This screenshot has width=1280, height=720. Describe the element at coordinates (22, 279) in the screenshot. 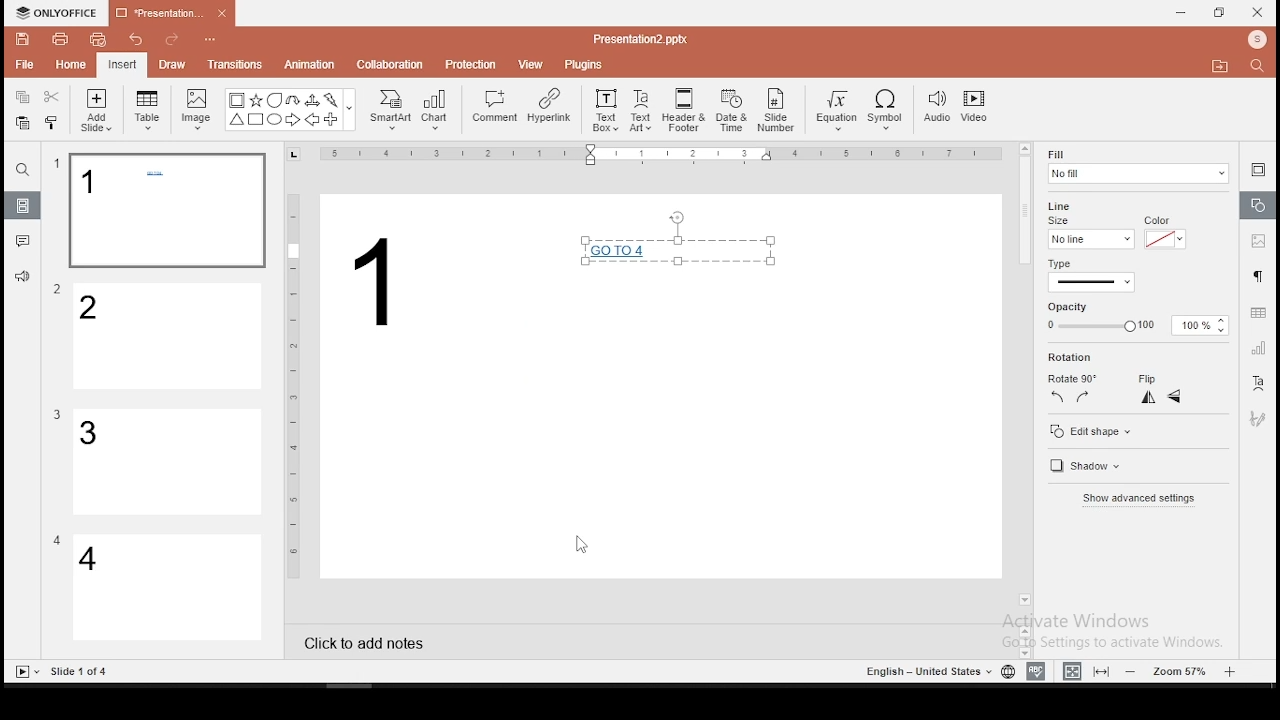

I see `support and feedback` at that location.